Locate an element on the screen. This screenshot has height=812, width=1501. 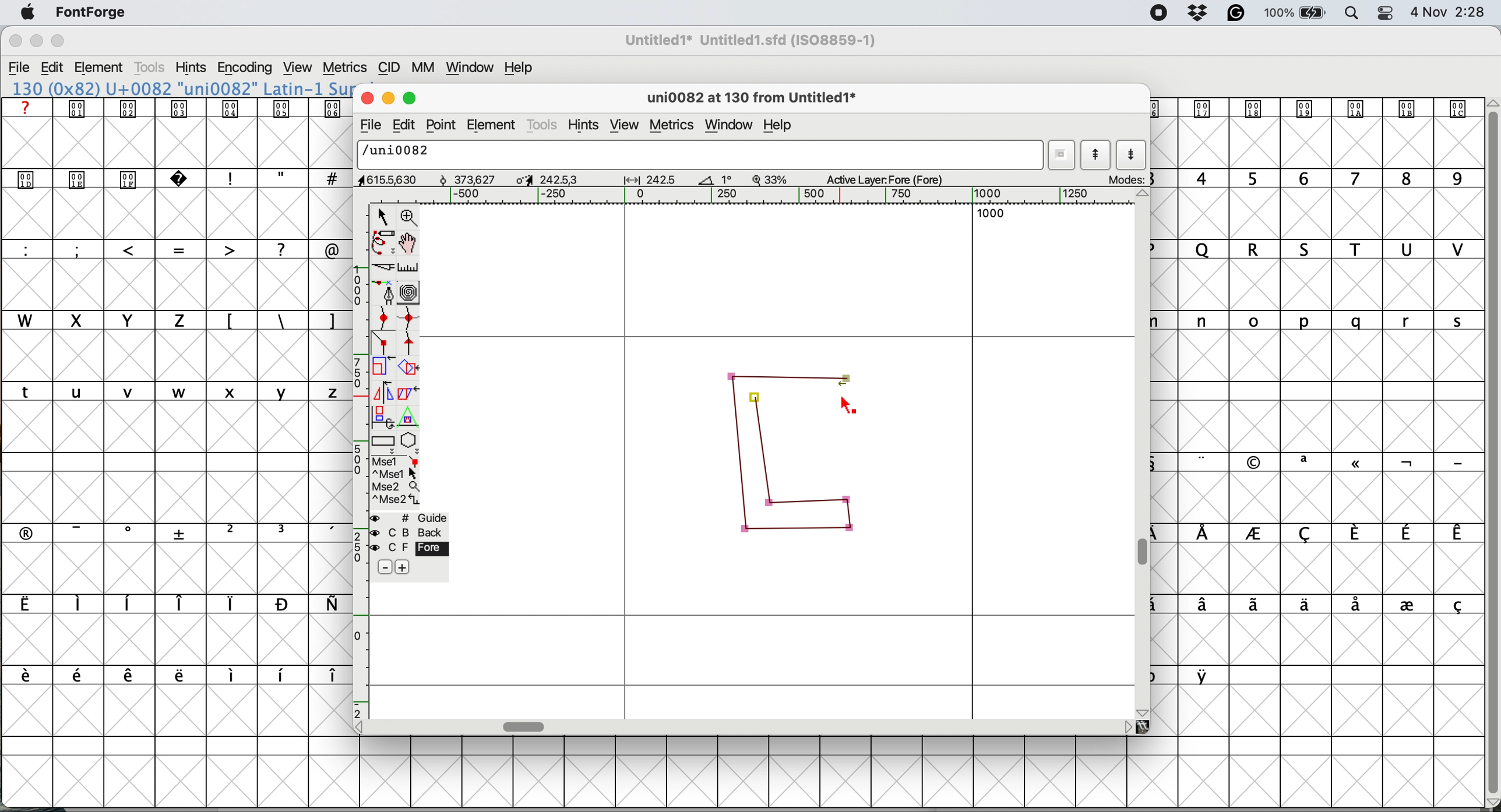
scroll button is located at coordinates (1144, 195).